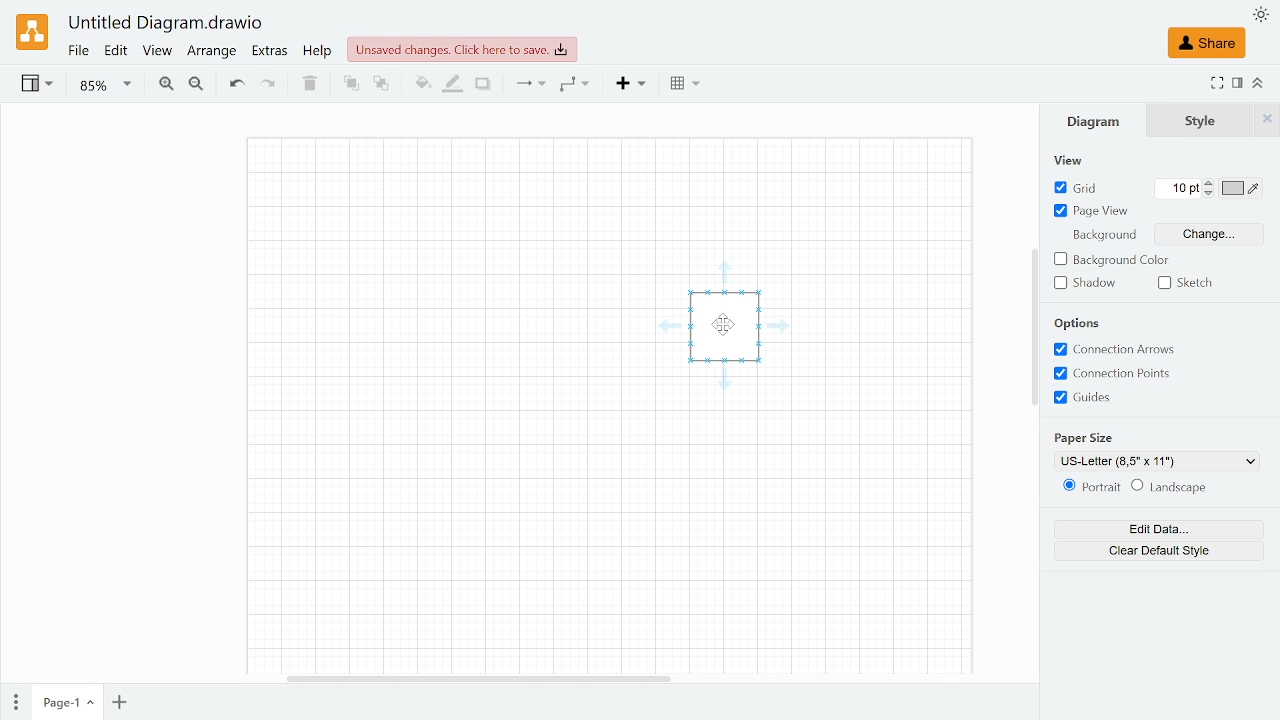  What do you see at coordinates (65, 702) in the screenshot?
I see `Current page(Page 1)` at bounding box center [65, 702].